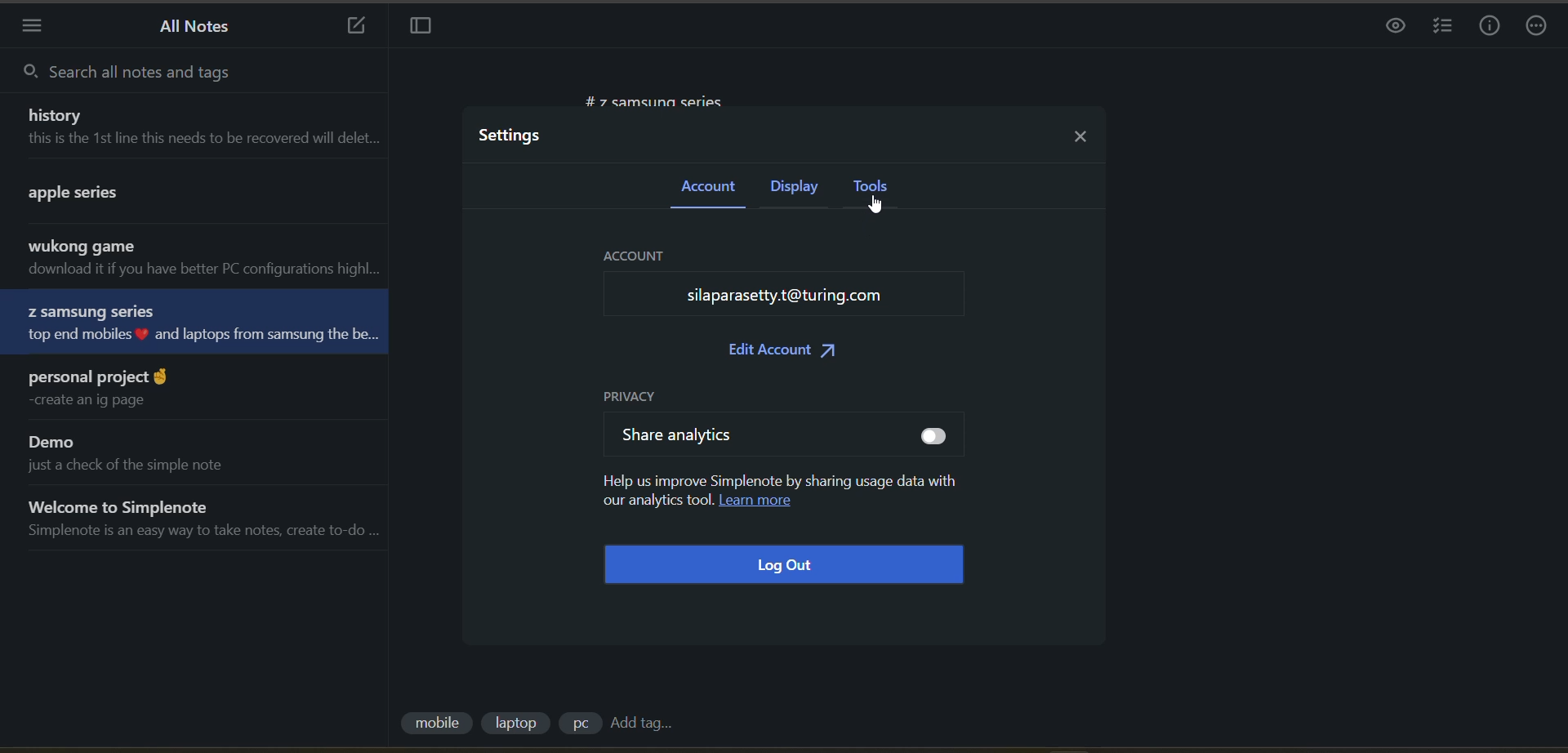 The height and width of the screenshot is (753, 1568). What do you see at coordinates (1391, 29) in the screenshot?
I see `preview` at bounding box center [1391, 29].